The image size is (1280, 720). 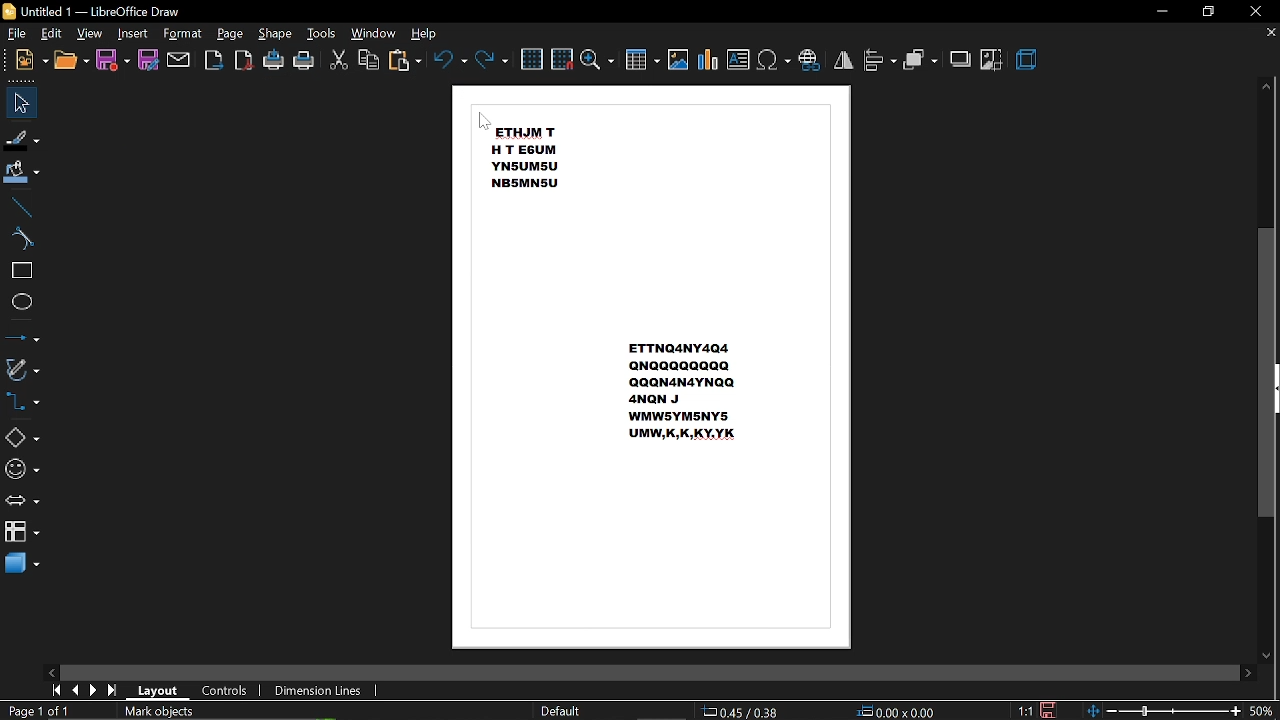 What do you see at coordinates (708, 60) in the screenshot?
I see `insert chart` at bounding box center [708, 60].